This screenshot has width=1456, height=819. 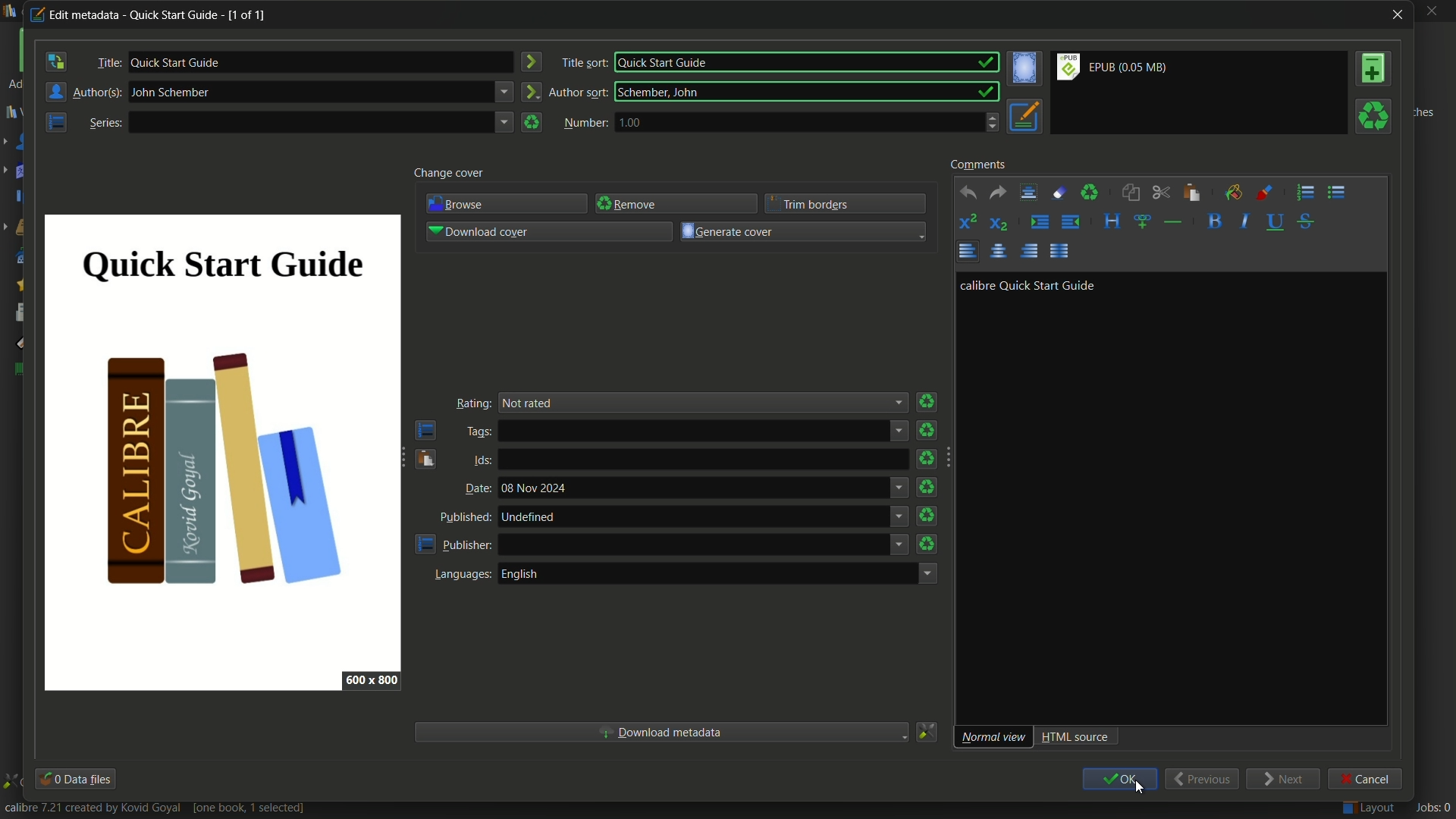 What do you see at coordinates (808, 62) in the screenshot?
I see `Quick Start Guide` at bounding box center [808, 62].